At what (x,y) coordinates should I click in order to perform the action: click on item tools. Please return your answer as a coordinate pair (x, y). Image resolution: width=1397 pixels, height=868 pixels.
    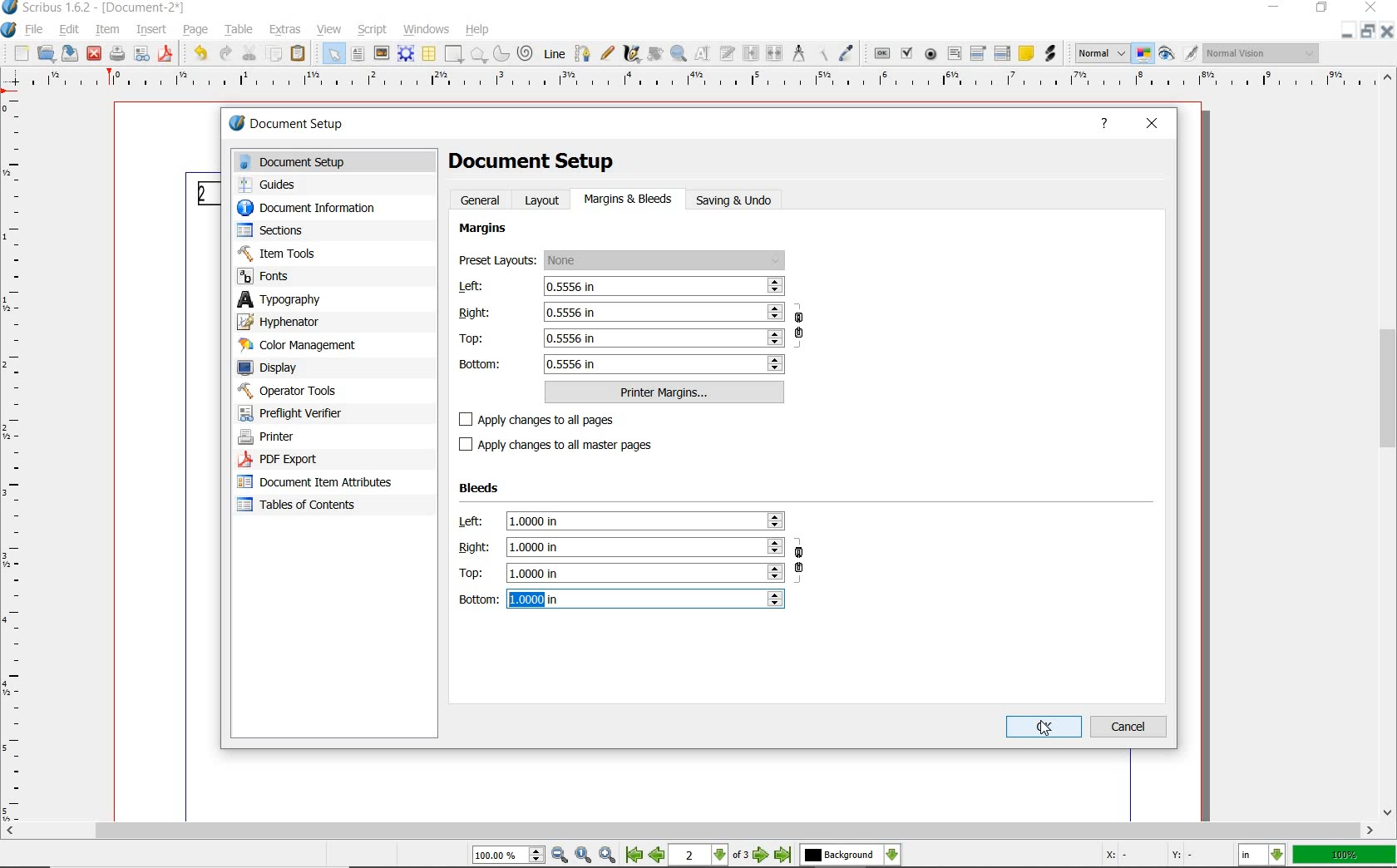
    Looking at the image, I should click on (280, 255).